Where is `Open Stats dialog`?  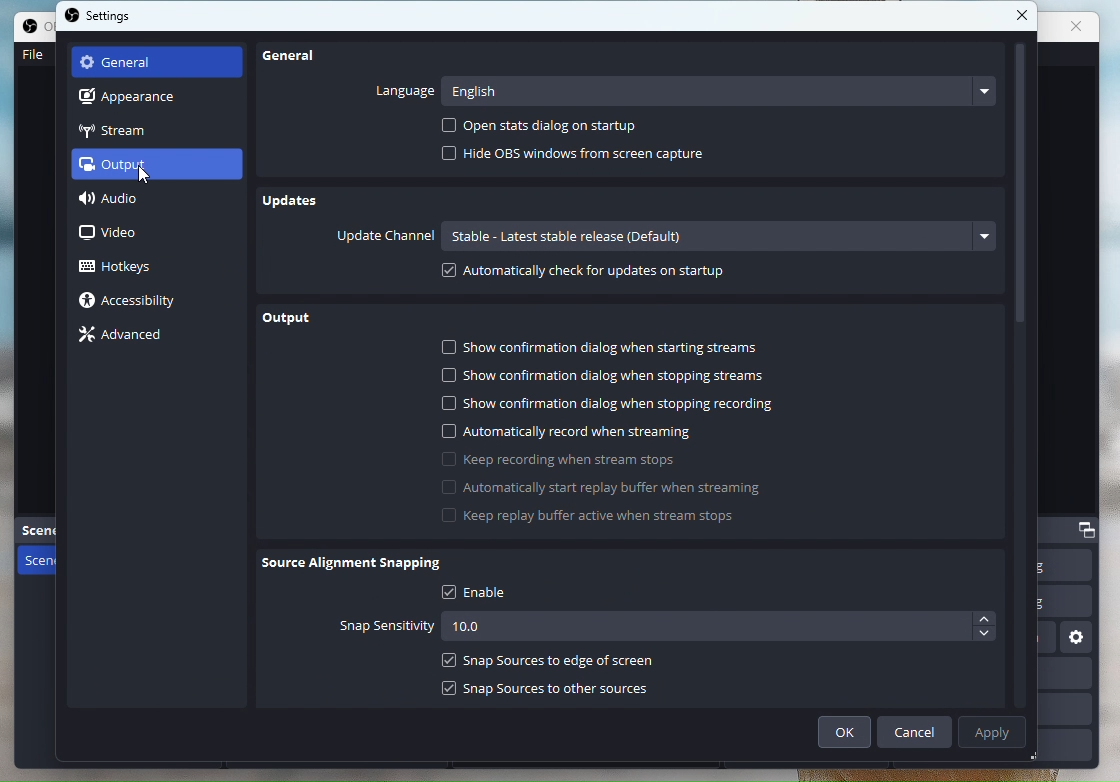
Open Stats dialog is located at coordinates (544, 125).